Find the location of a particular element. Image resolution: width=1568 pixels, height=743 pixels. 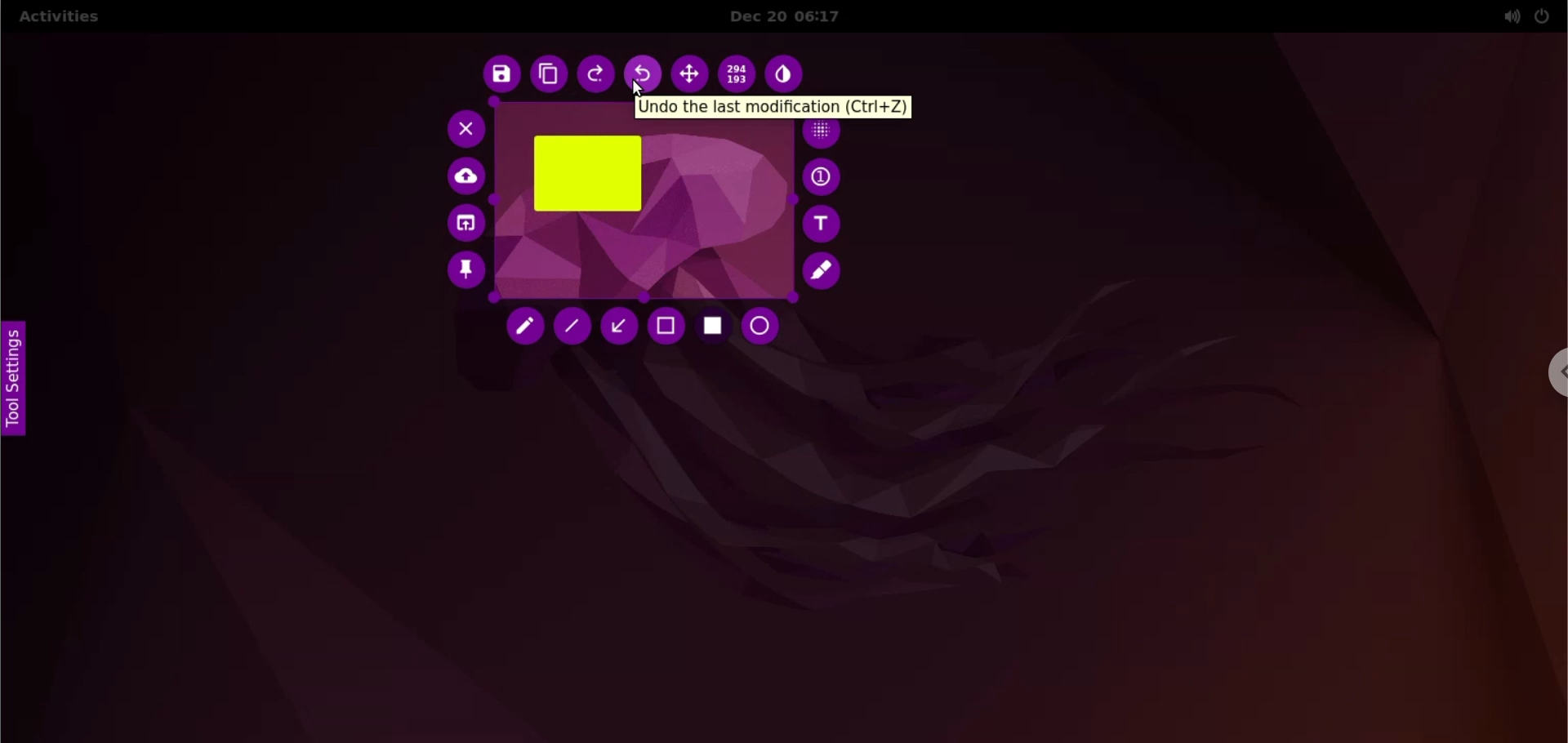

marker is located at coordinates (825, 271).